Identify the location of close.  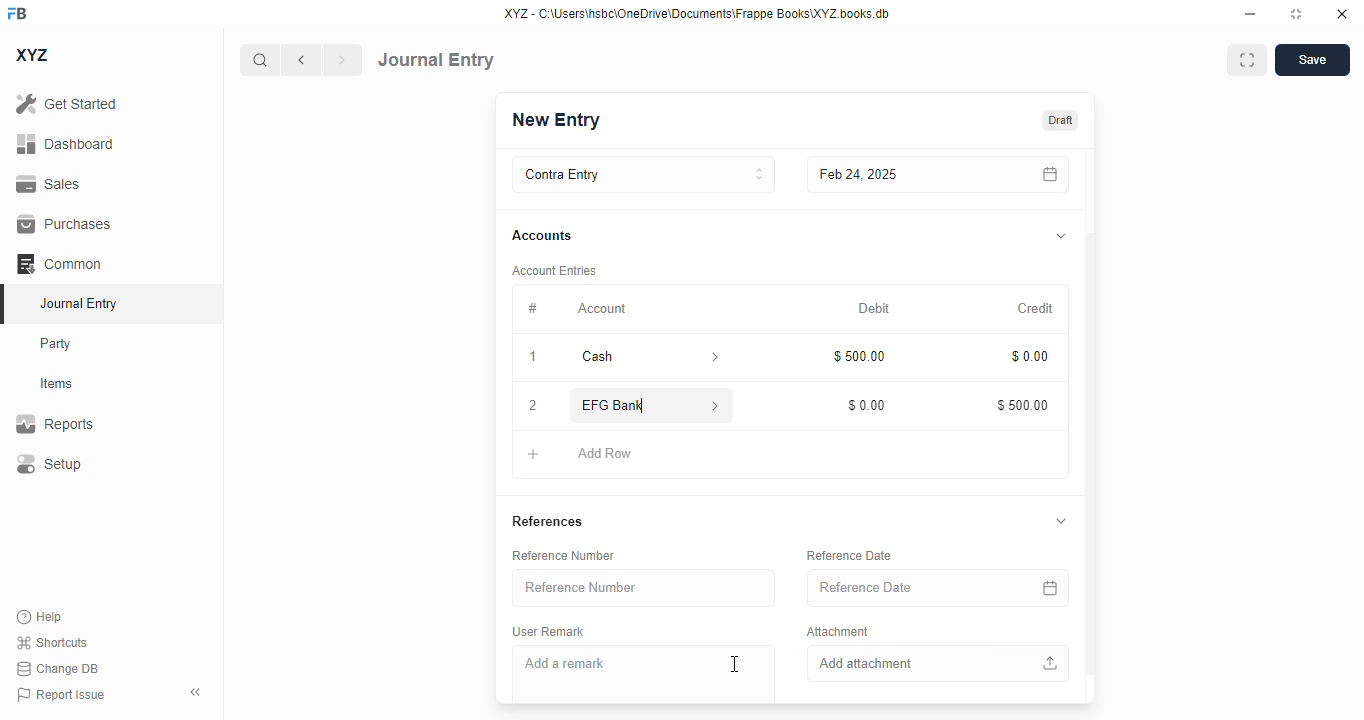
(1342, 14).